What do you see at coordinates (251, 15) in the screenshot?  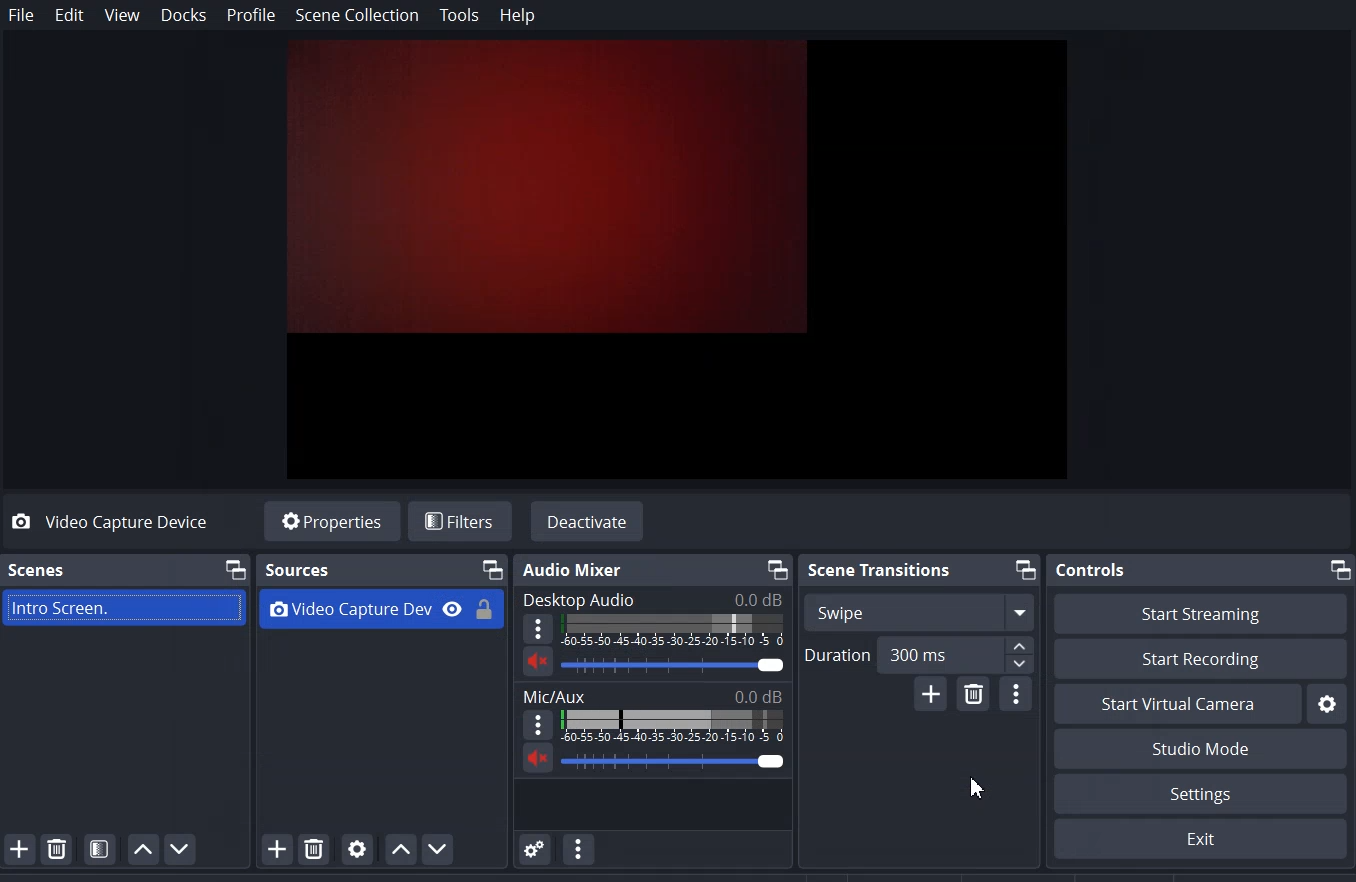 I see `Profile` at bounding box center [251, 15].